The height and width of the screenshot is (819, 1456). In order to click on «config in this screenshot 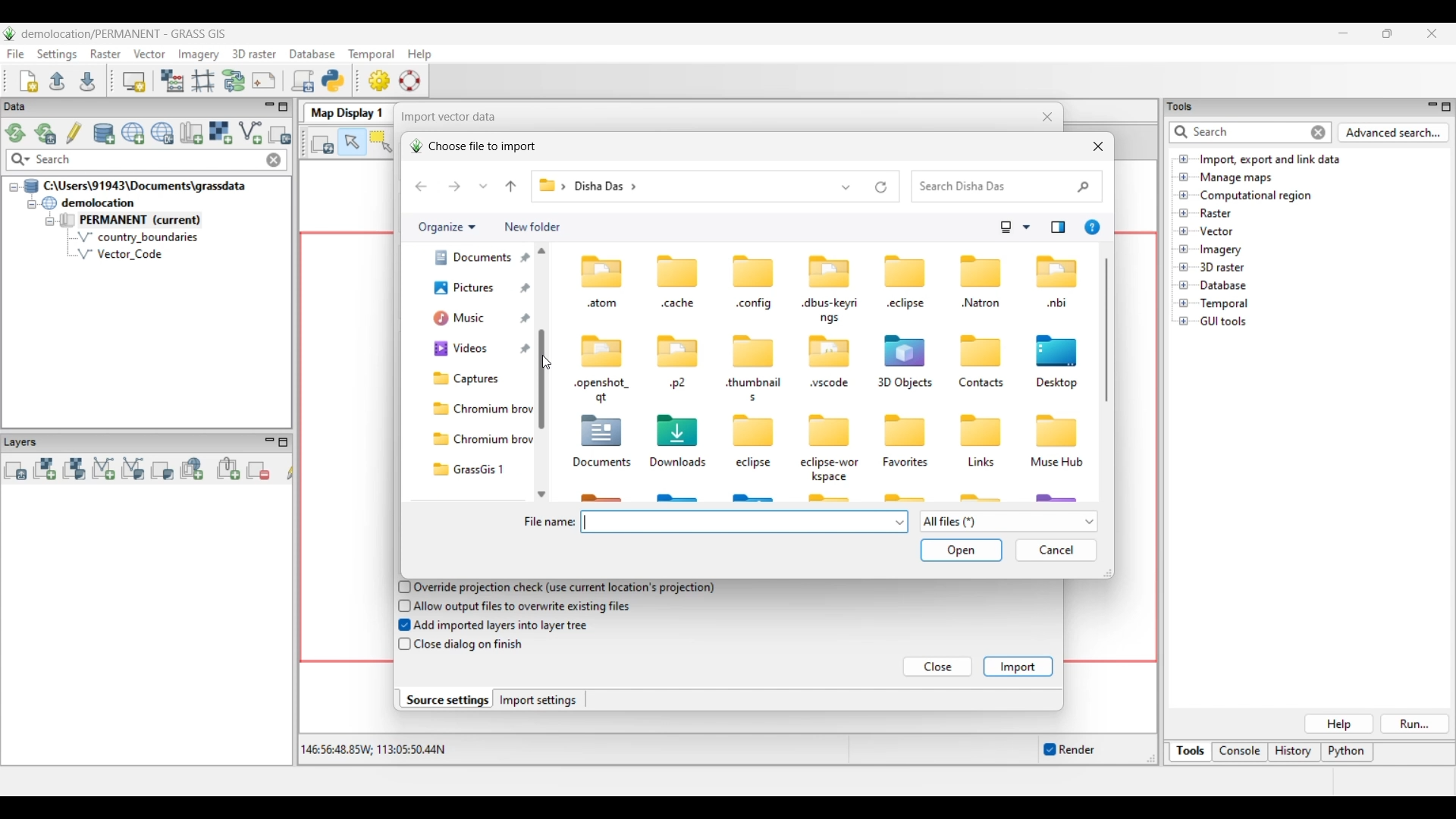, I will do `click(755, 306)`.